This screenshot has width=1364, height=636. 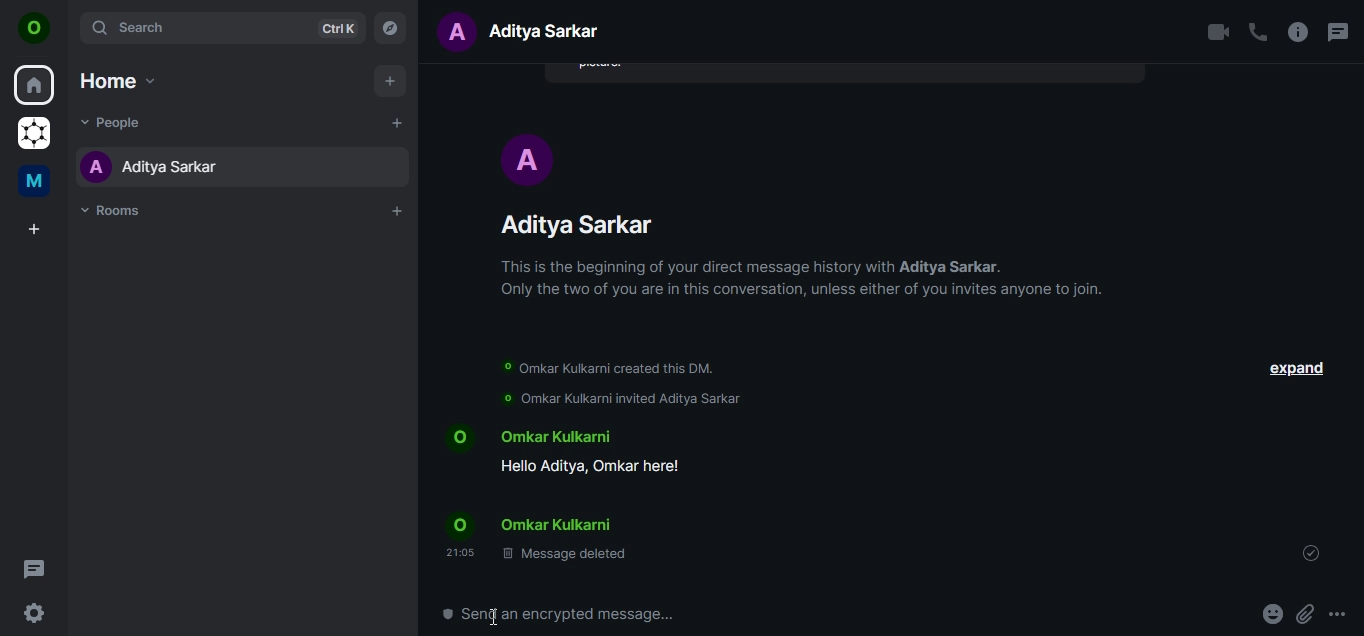 I want to click on home, so click(x=35, y=83).